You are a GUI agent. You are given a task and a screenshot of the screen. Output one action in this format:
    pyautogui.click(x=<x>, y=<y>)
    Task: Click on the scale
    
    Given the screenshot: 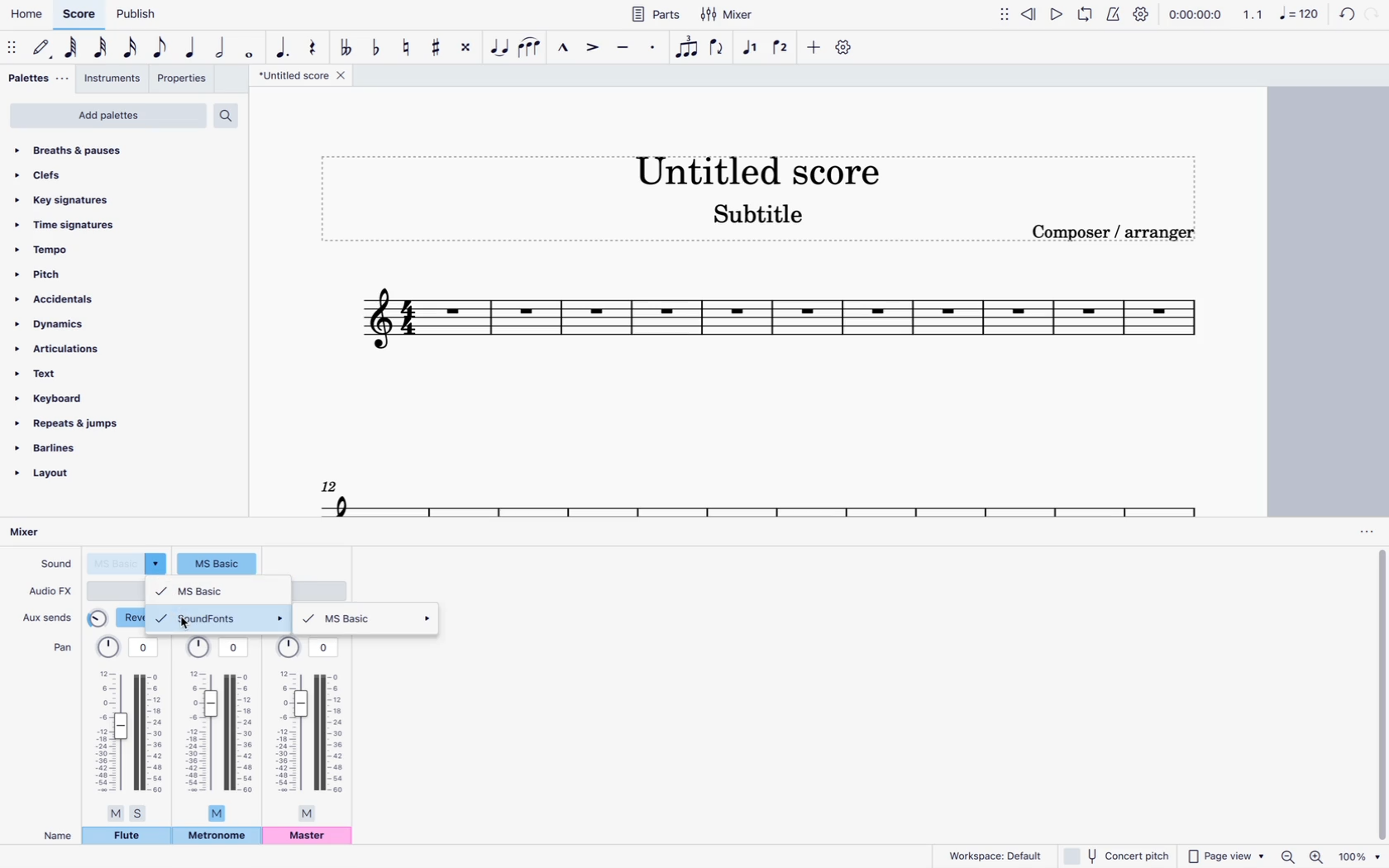 What is the action you would take?
    pyautogui.click(x=780, y=324)
    